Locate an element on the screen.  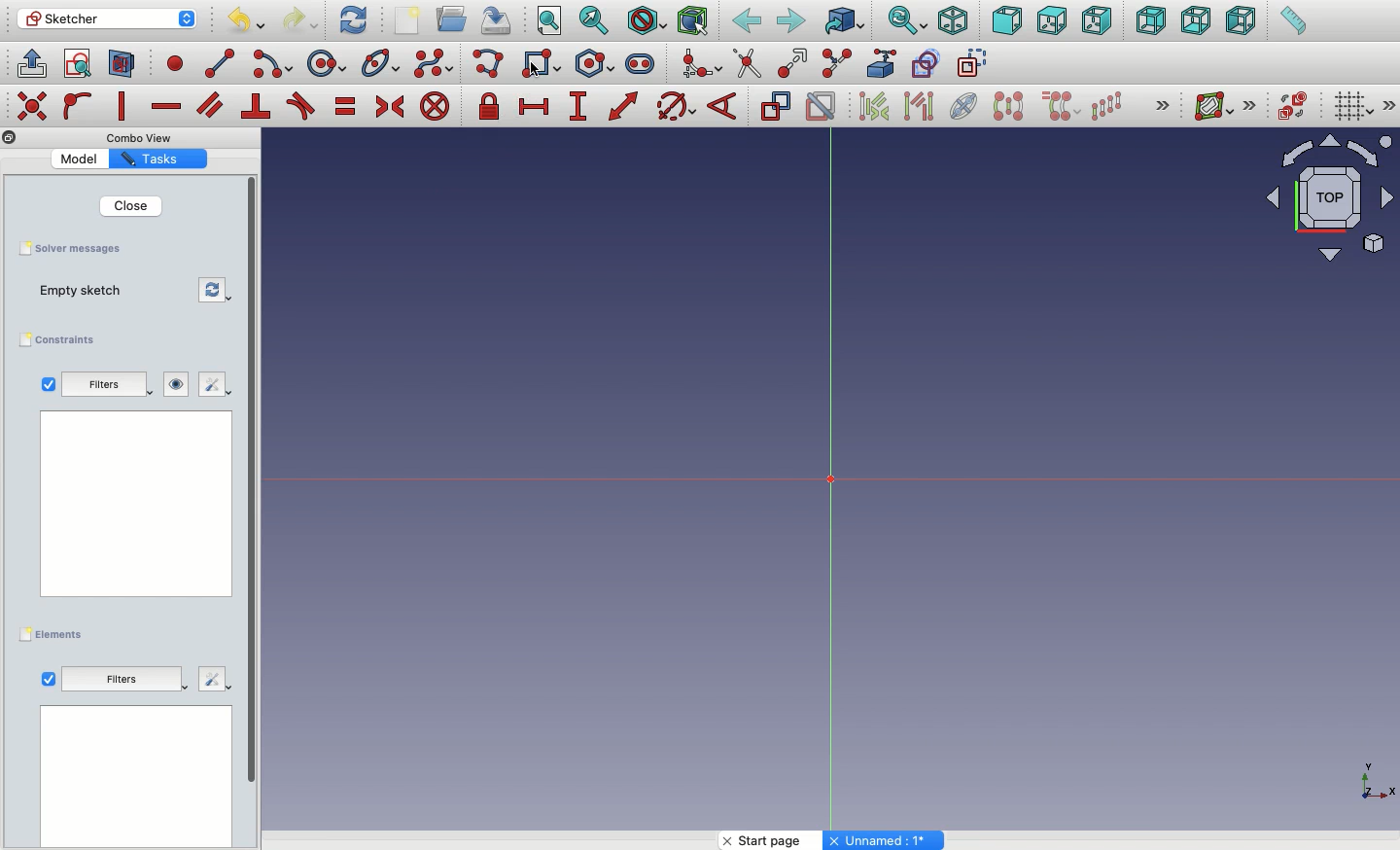
workspace is located at coordinates (137, 503).